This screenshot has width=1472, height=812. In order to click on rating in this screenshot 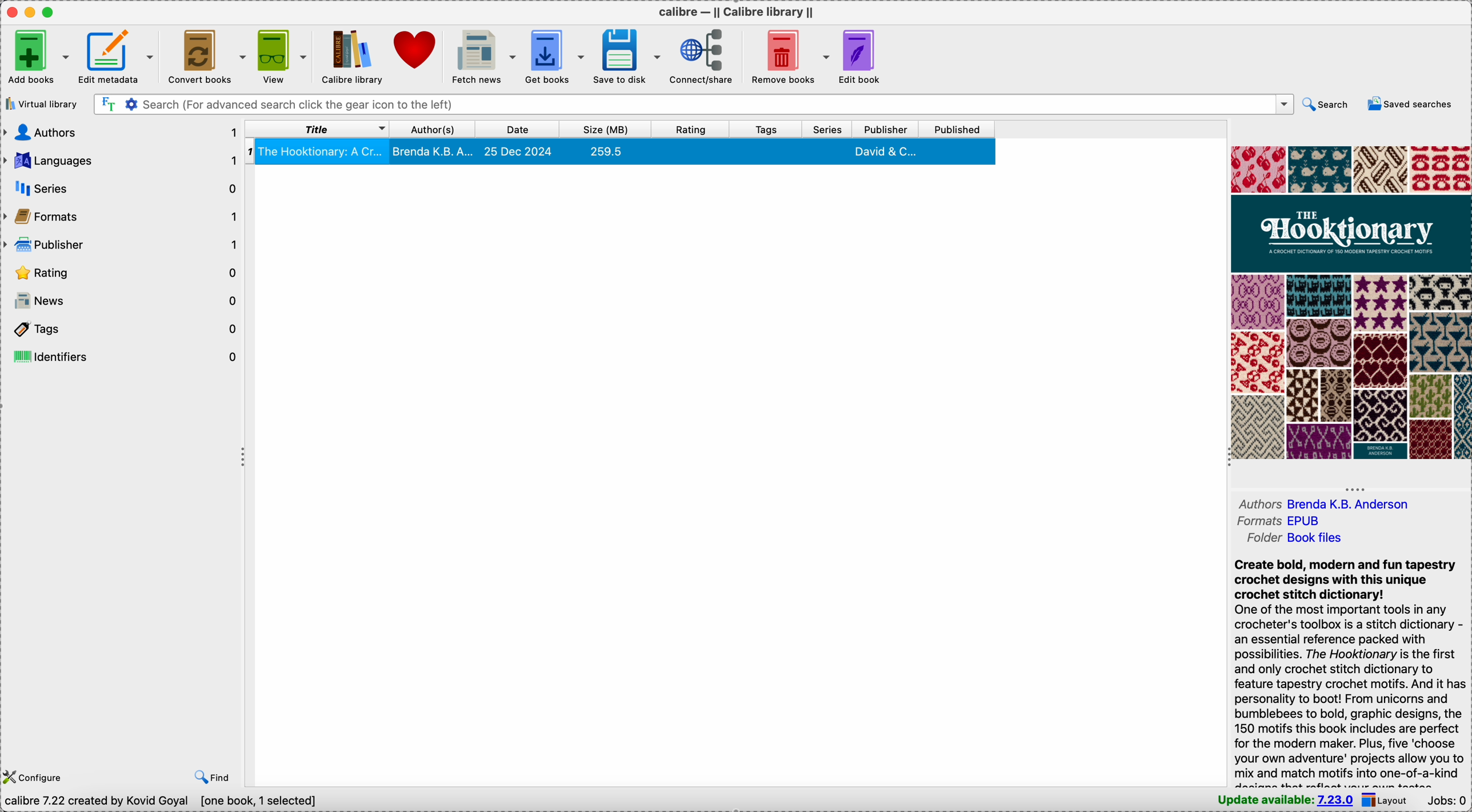, I will do `click(688, 129)`.